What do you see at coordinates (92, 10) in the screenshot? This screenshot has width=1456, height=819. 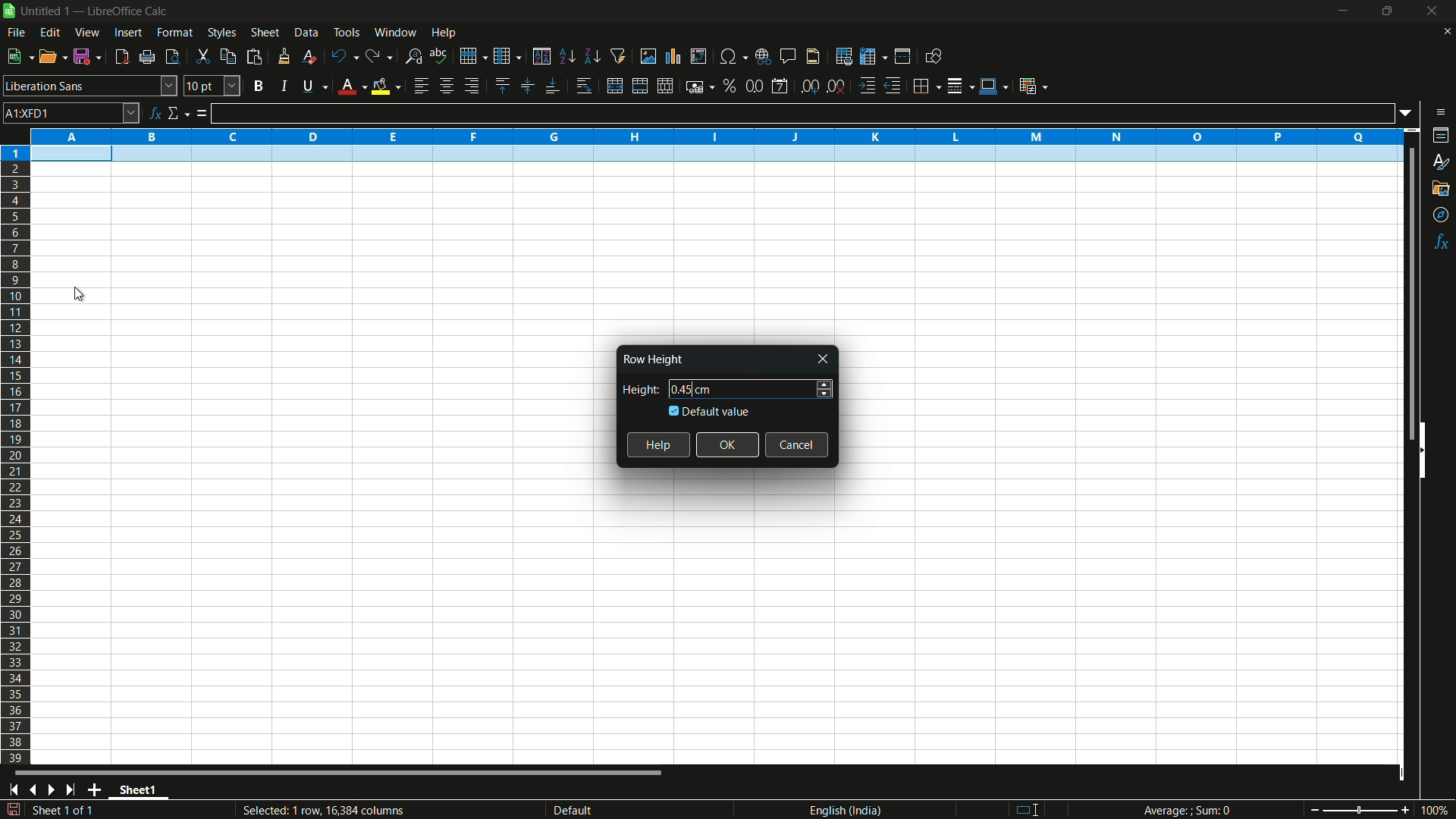 I see `| Untitled 1 — LibreOffice Calc` at bounding box center [92, 10].